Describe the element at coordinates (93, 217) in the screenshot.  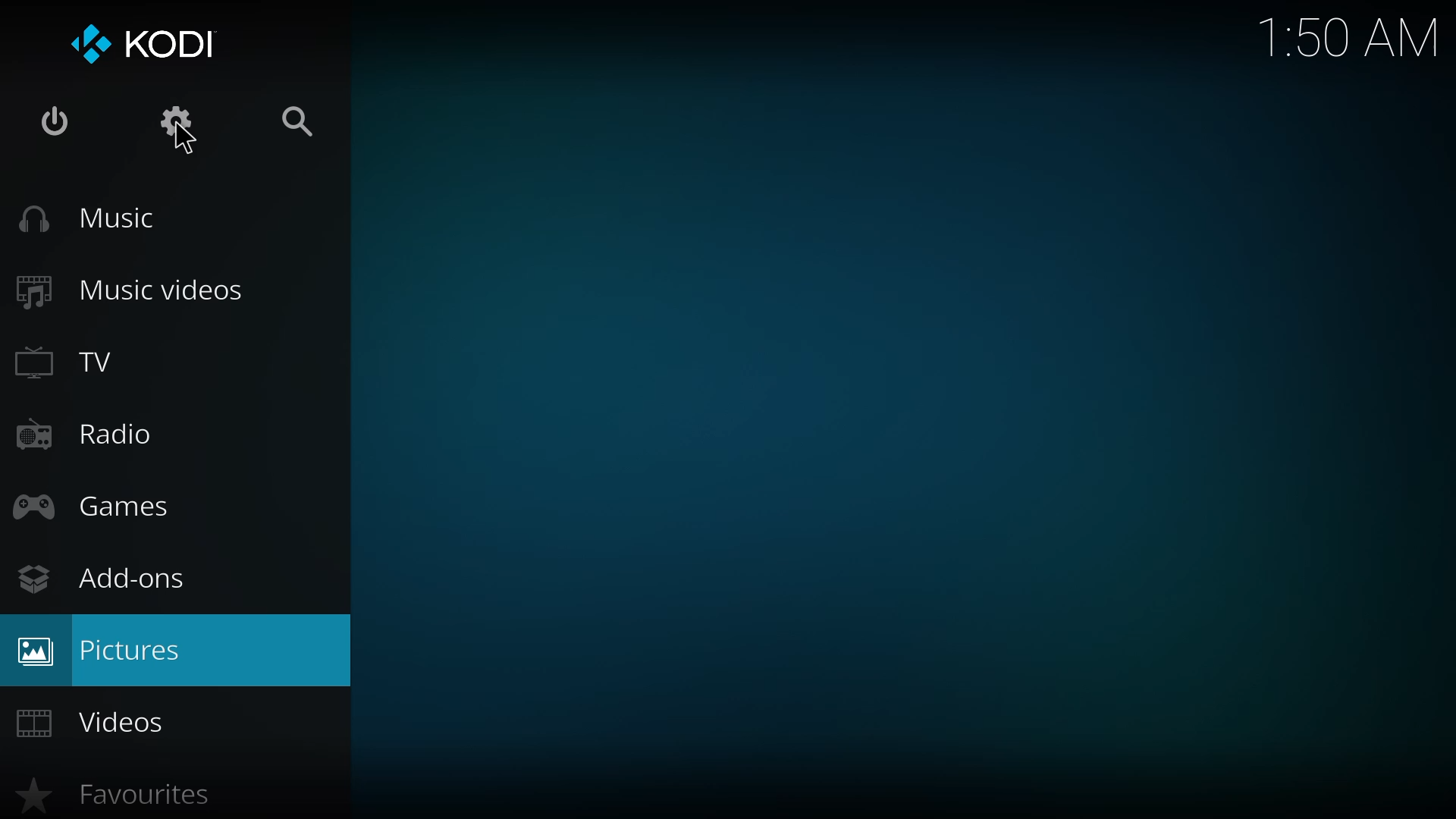
I see `music` at that location.